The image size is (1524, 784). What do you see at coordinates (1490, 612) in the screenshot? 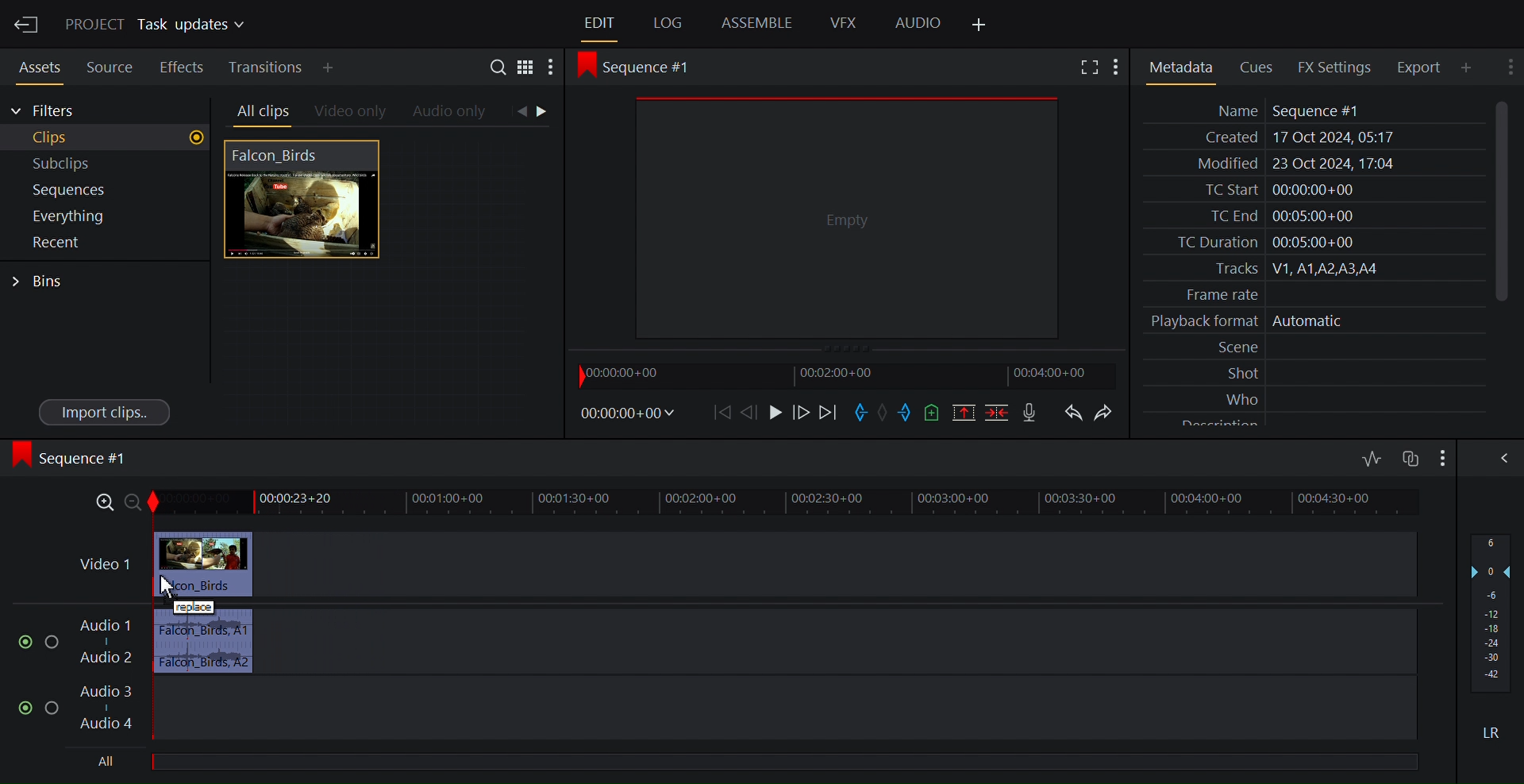
I see `Audio output level` at bounding box center [1490, 612].